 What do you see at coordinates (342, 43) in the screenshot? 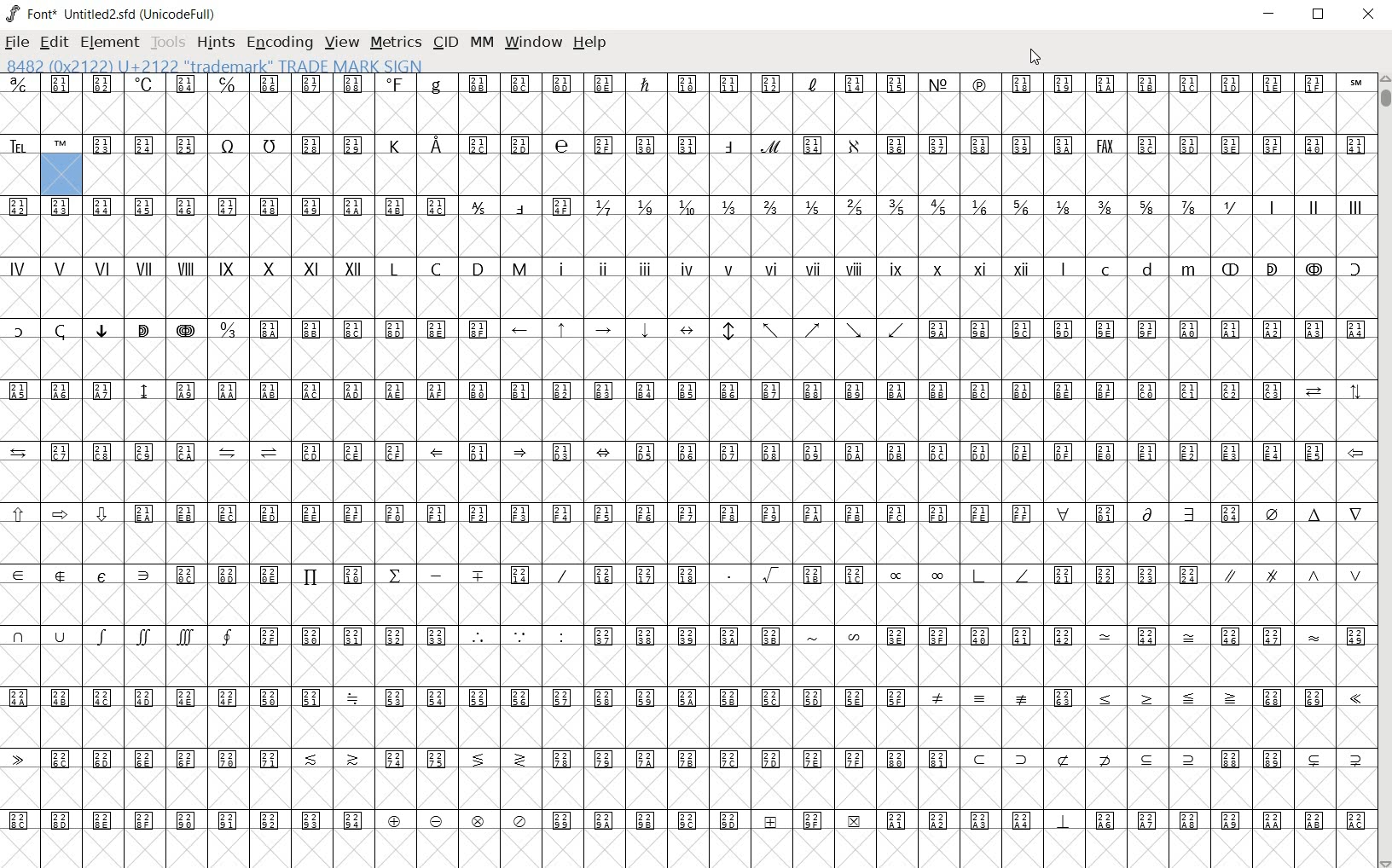
I see `VIEW` at bounding box center [342, 43].